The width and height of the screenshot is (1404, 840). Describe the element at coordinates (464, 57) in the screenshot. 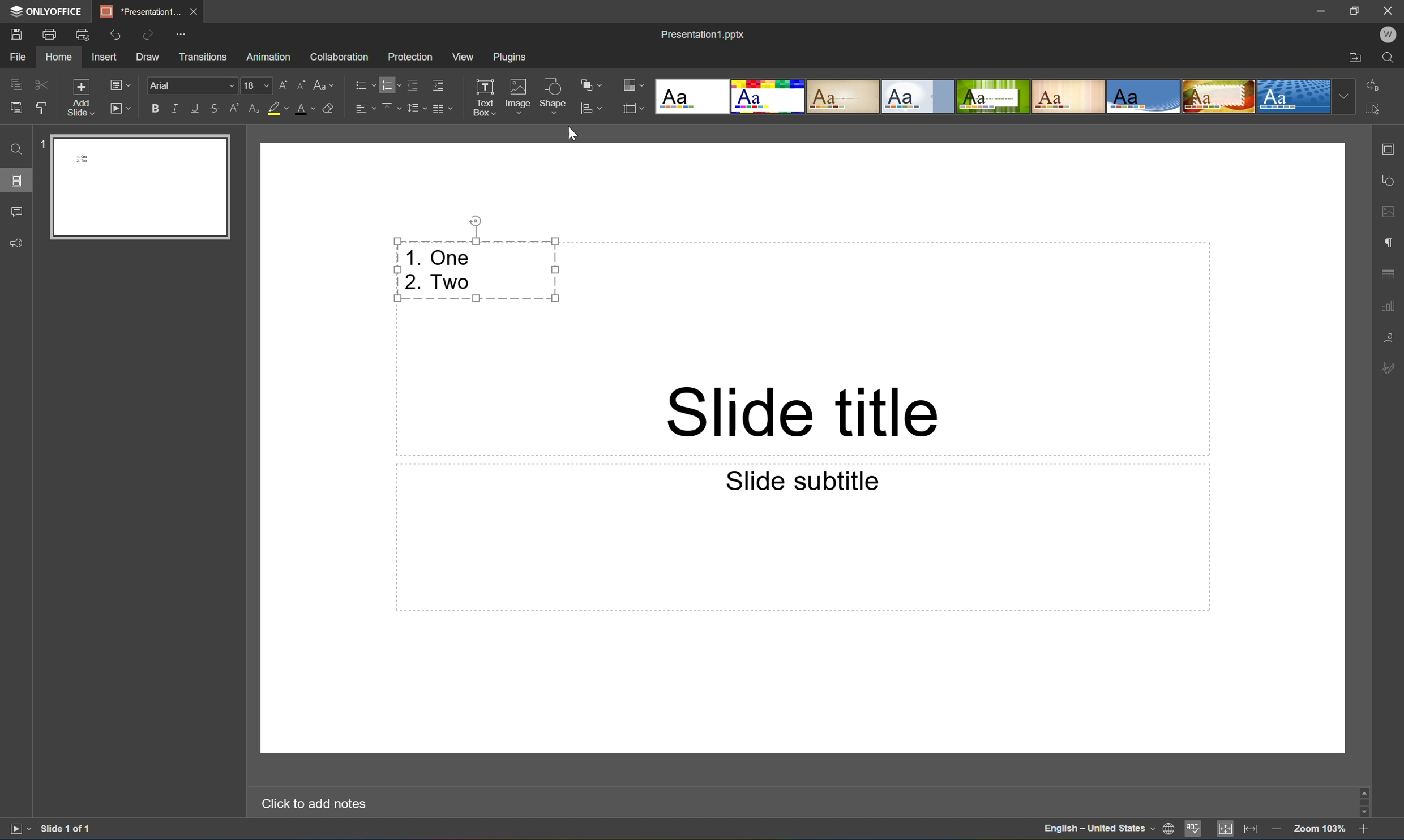

I see `View` at that location.